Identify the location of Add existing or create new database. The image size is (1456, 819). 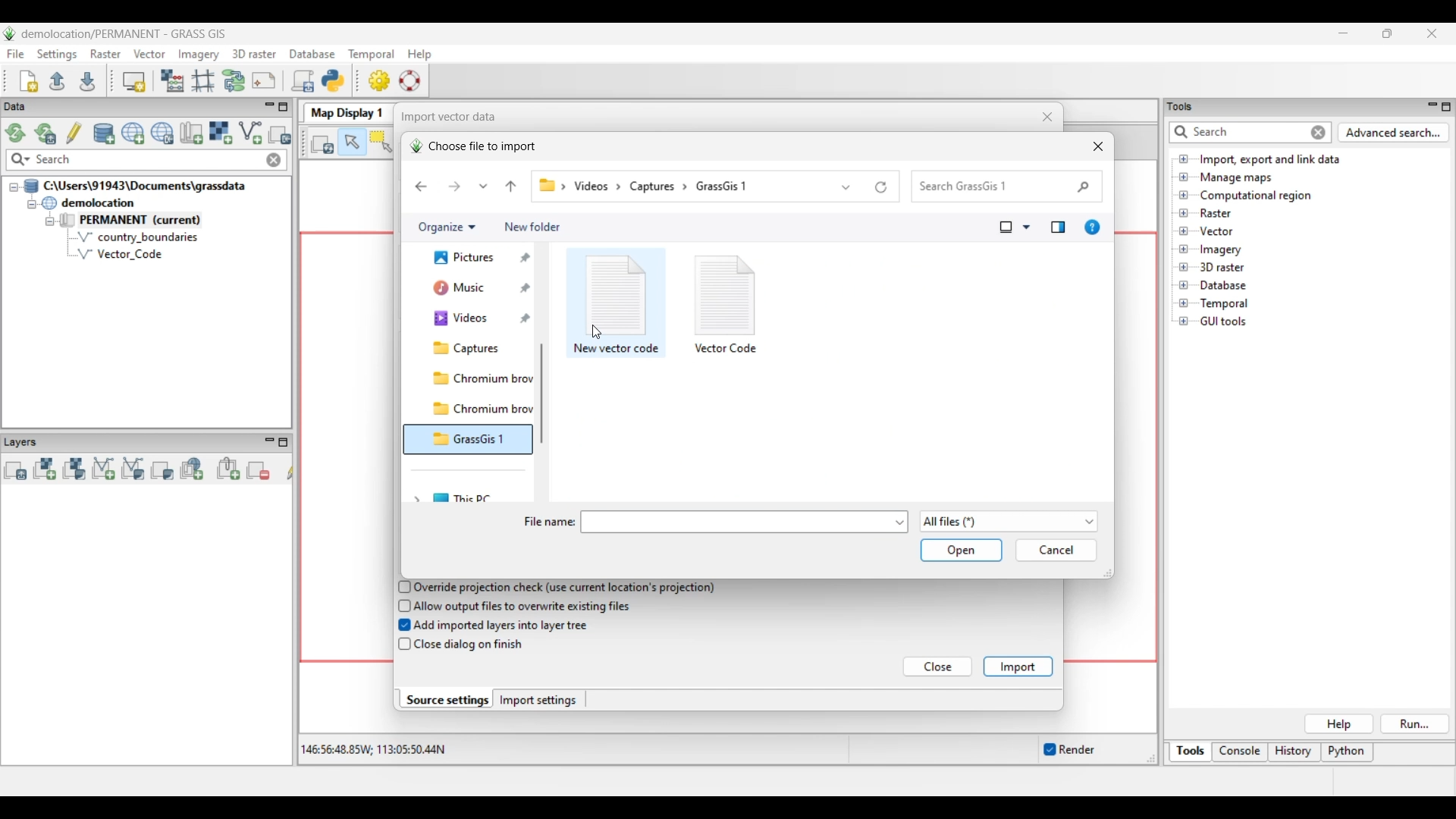
(105, 134).